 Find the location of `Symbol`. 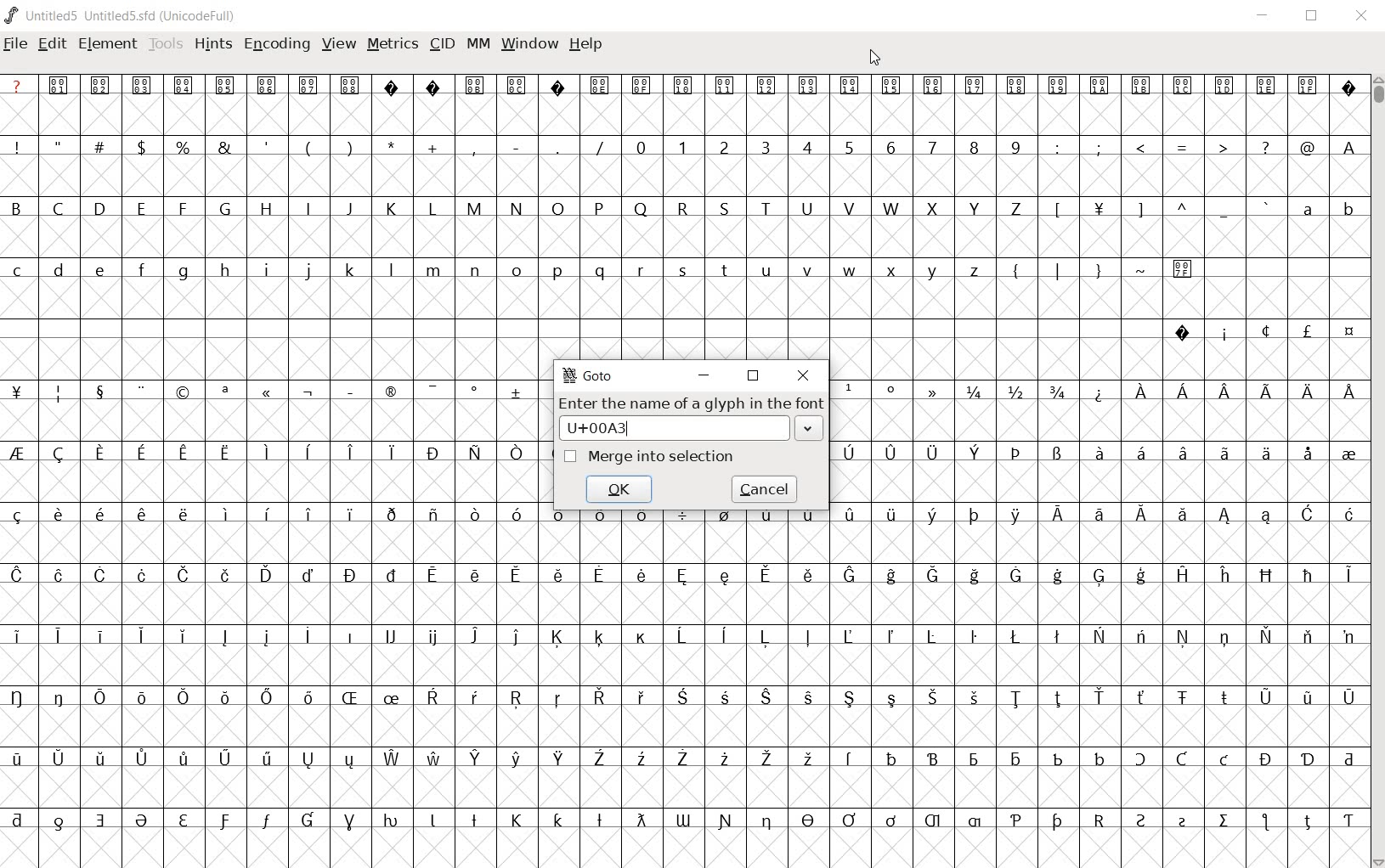

Symbol is located at coordinates (1348, 819).